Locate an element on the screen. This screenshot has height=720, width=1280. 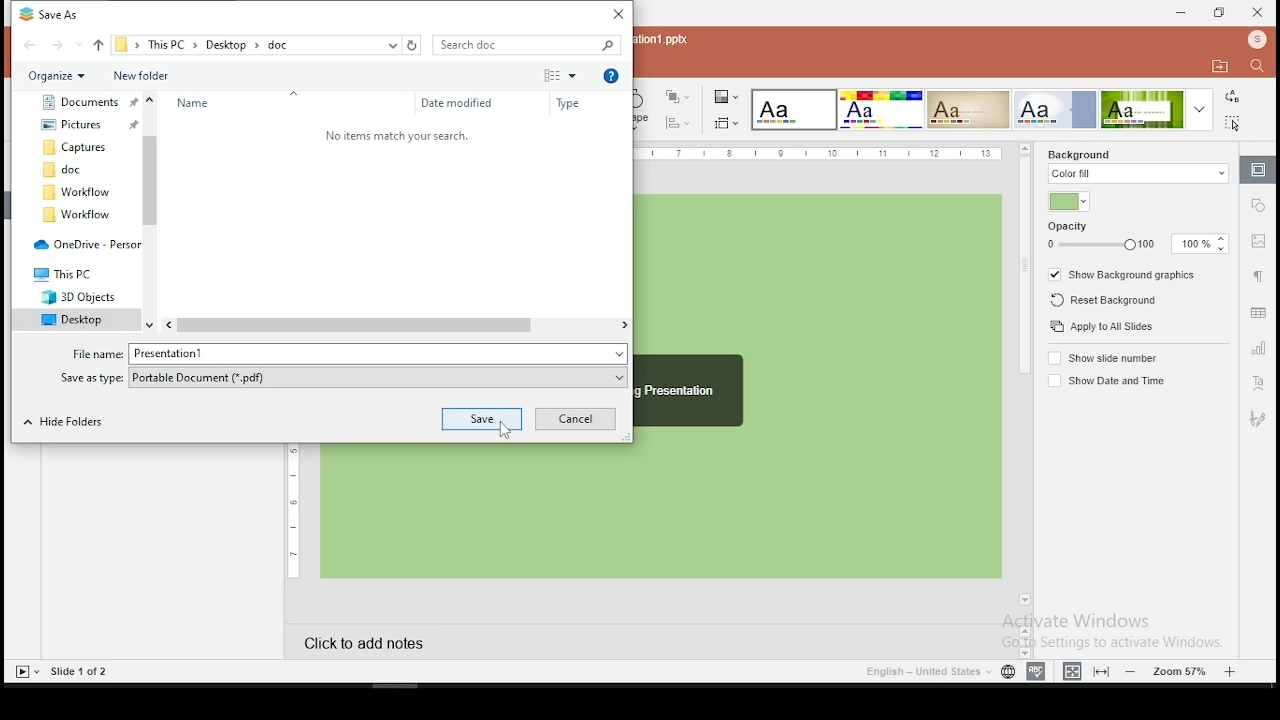
3D Objects is located at coordinates (73, 298).